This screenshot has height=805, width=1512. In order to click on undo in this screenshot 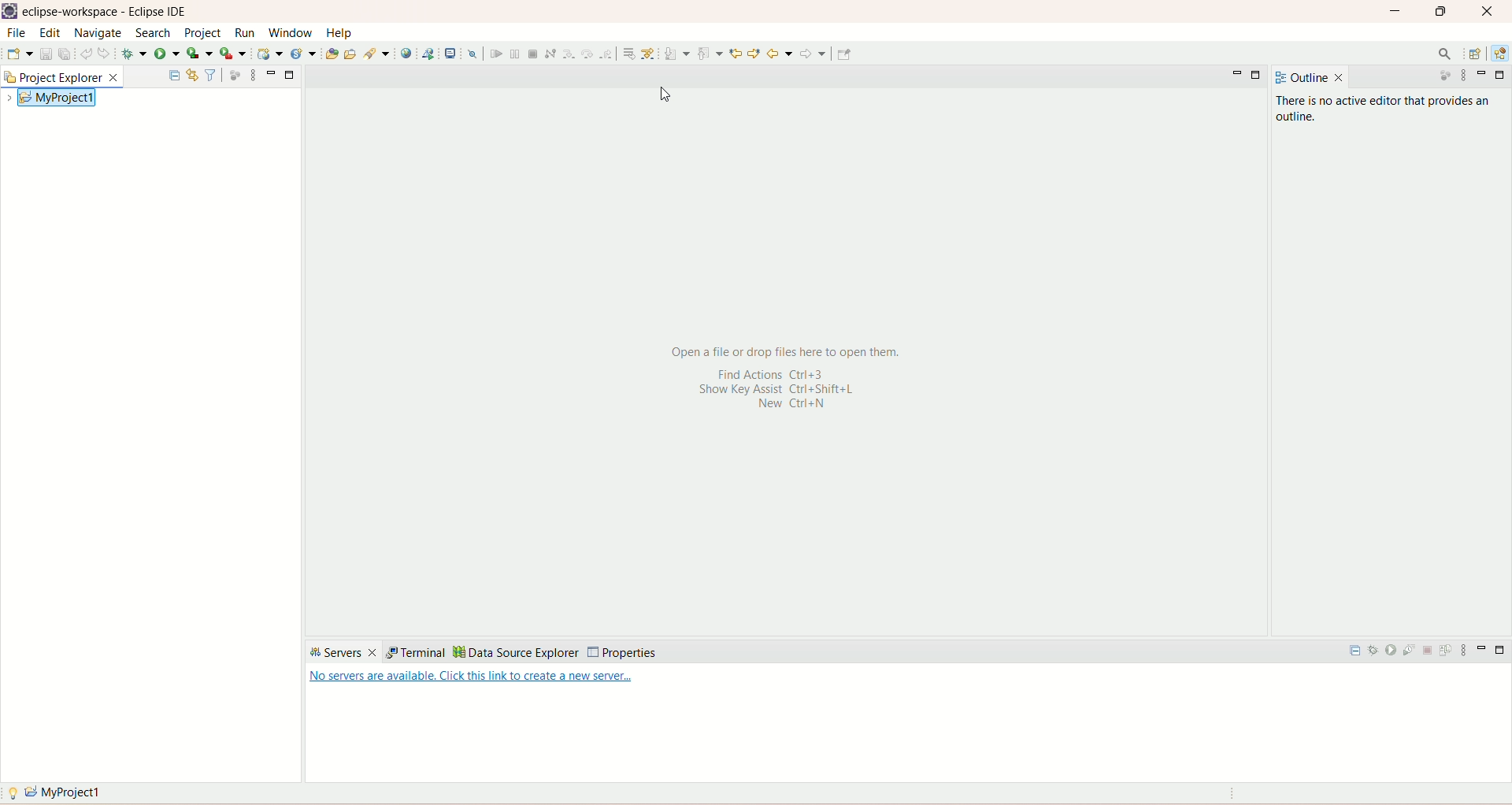, I will do `click(86, 52)`.